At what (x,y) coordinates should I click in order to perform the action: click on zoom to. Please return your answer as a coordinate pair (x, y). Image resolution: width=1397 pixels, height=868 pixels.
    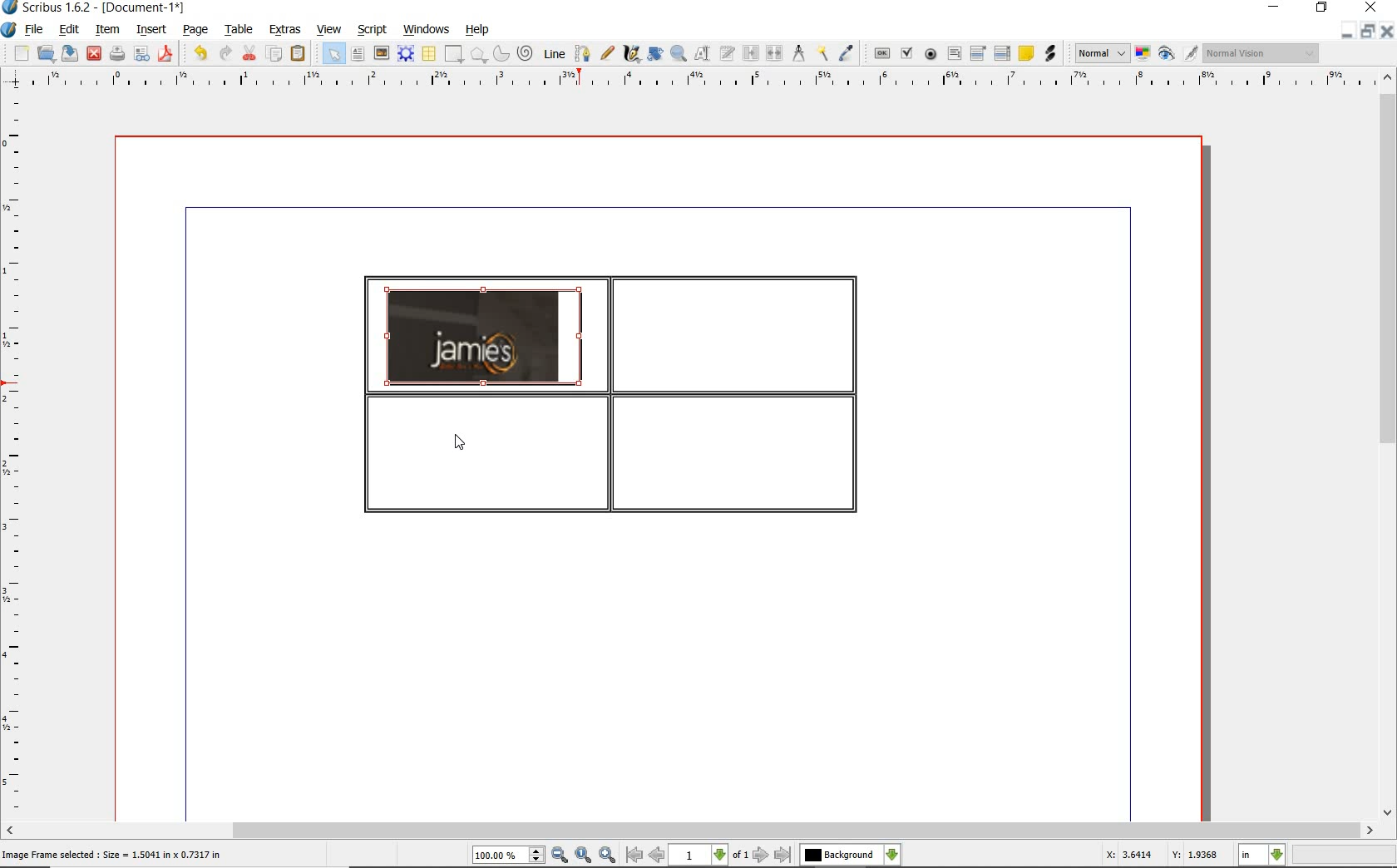
    Looking at the image, I should click on (583, 856).